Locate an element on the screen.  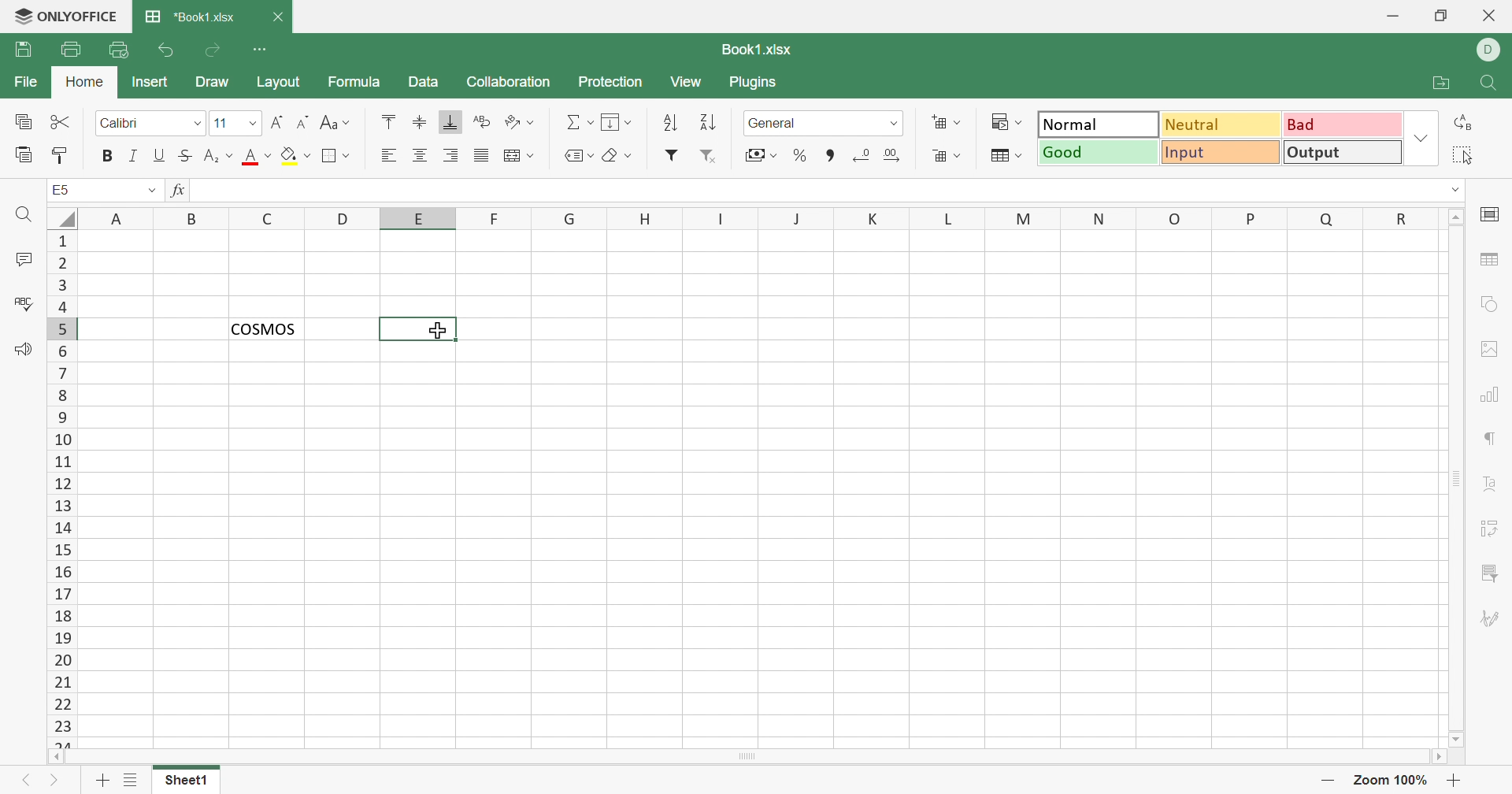
Text art settings is located at coordinates (1488, 483).